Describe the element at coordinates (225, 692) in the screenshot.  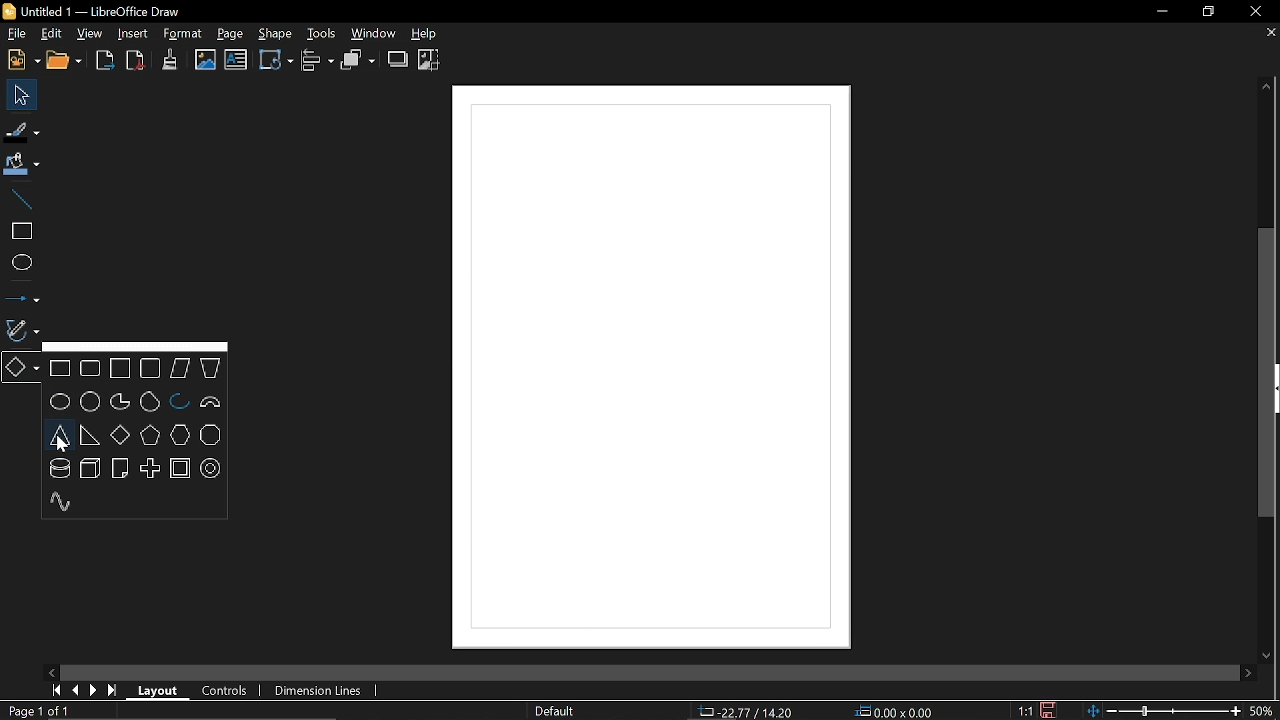
I see `Controls` at that location.